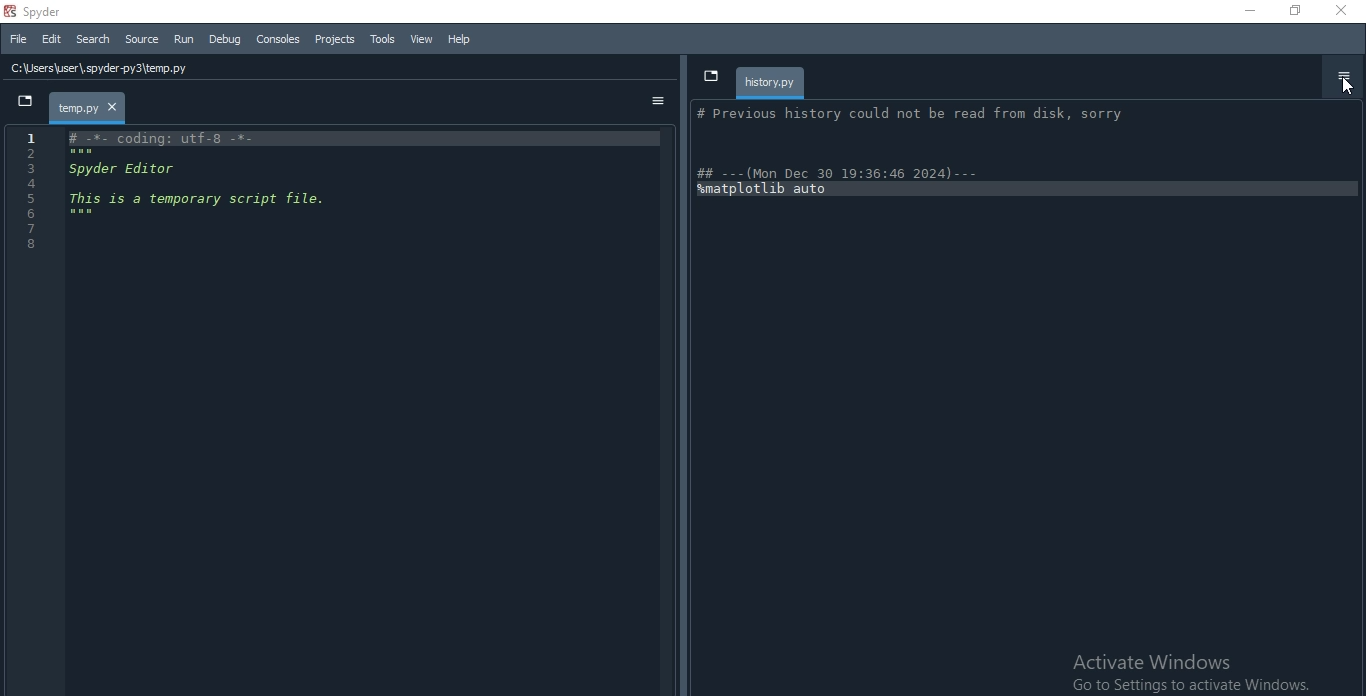  What do you see at coordinates (143, 39) in the screenshot?
I see `Source` at bounding box center [143, 39].